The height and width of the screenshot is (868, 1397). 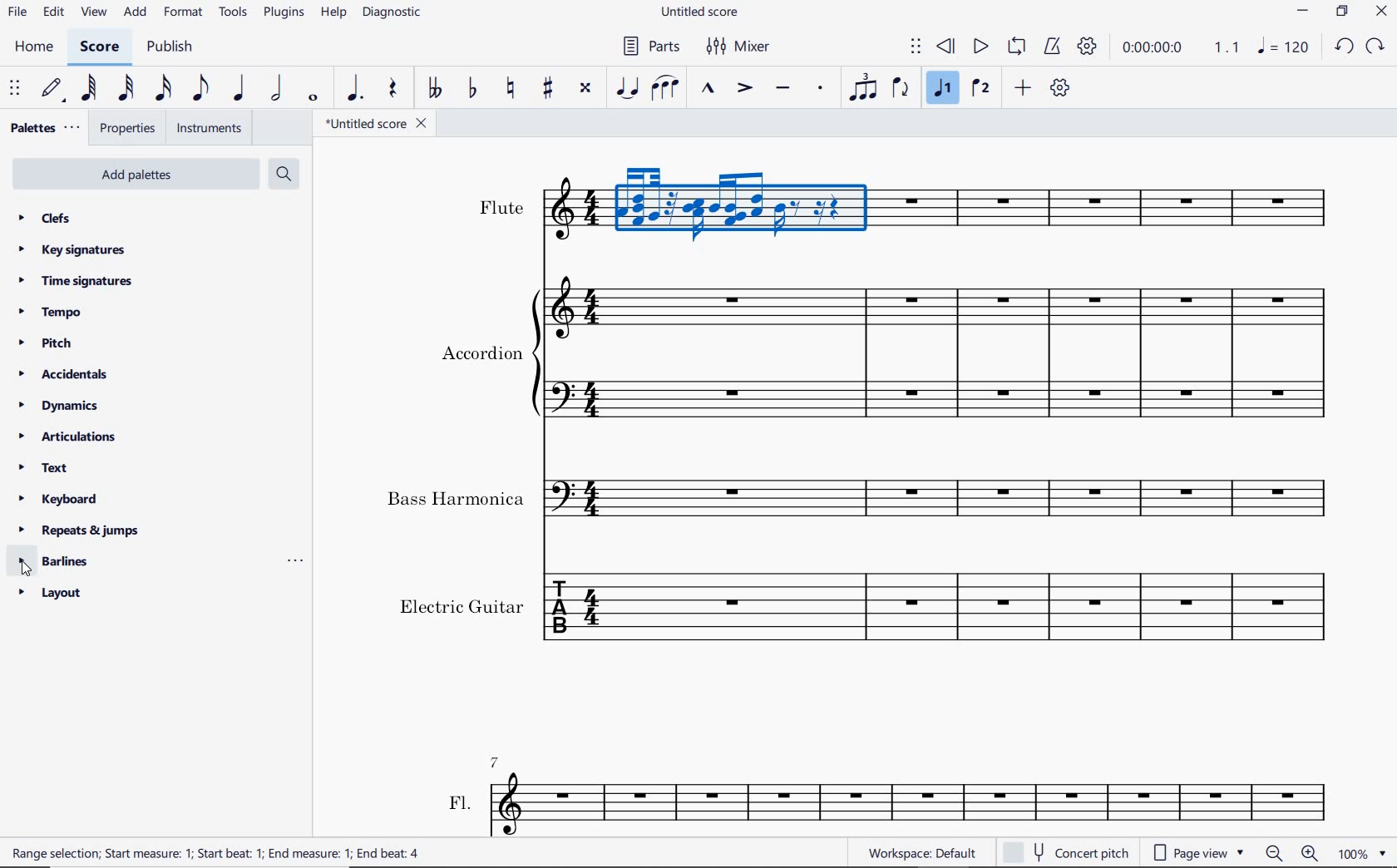 What do you see at coordinates (864, 89) in the screenshot?
I see `tuplet` at bounding box center [864, 89].